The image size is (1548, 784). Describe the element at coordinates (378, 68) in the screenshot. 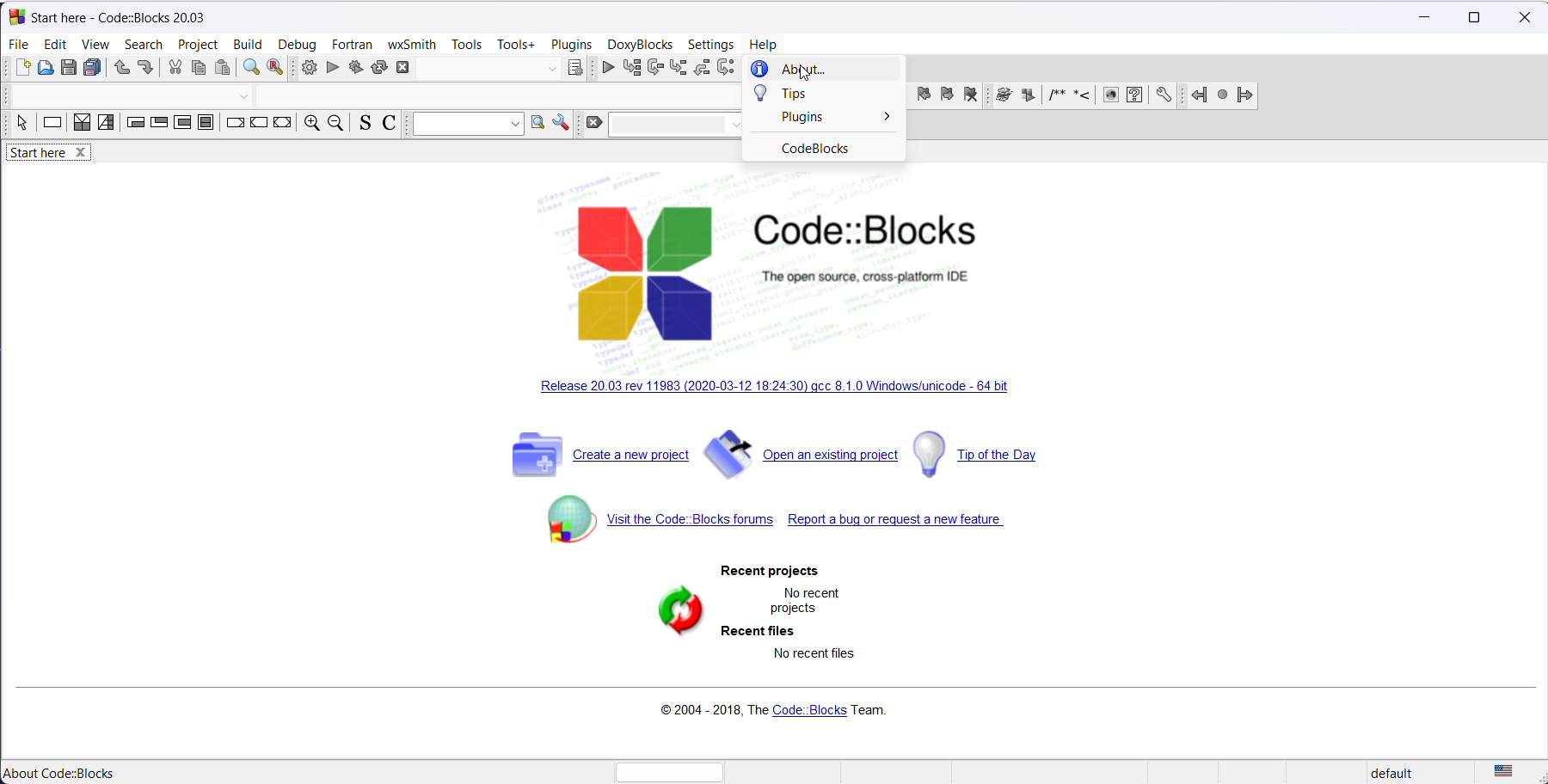

I see `rebuild` at that location.